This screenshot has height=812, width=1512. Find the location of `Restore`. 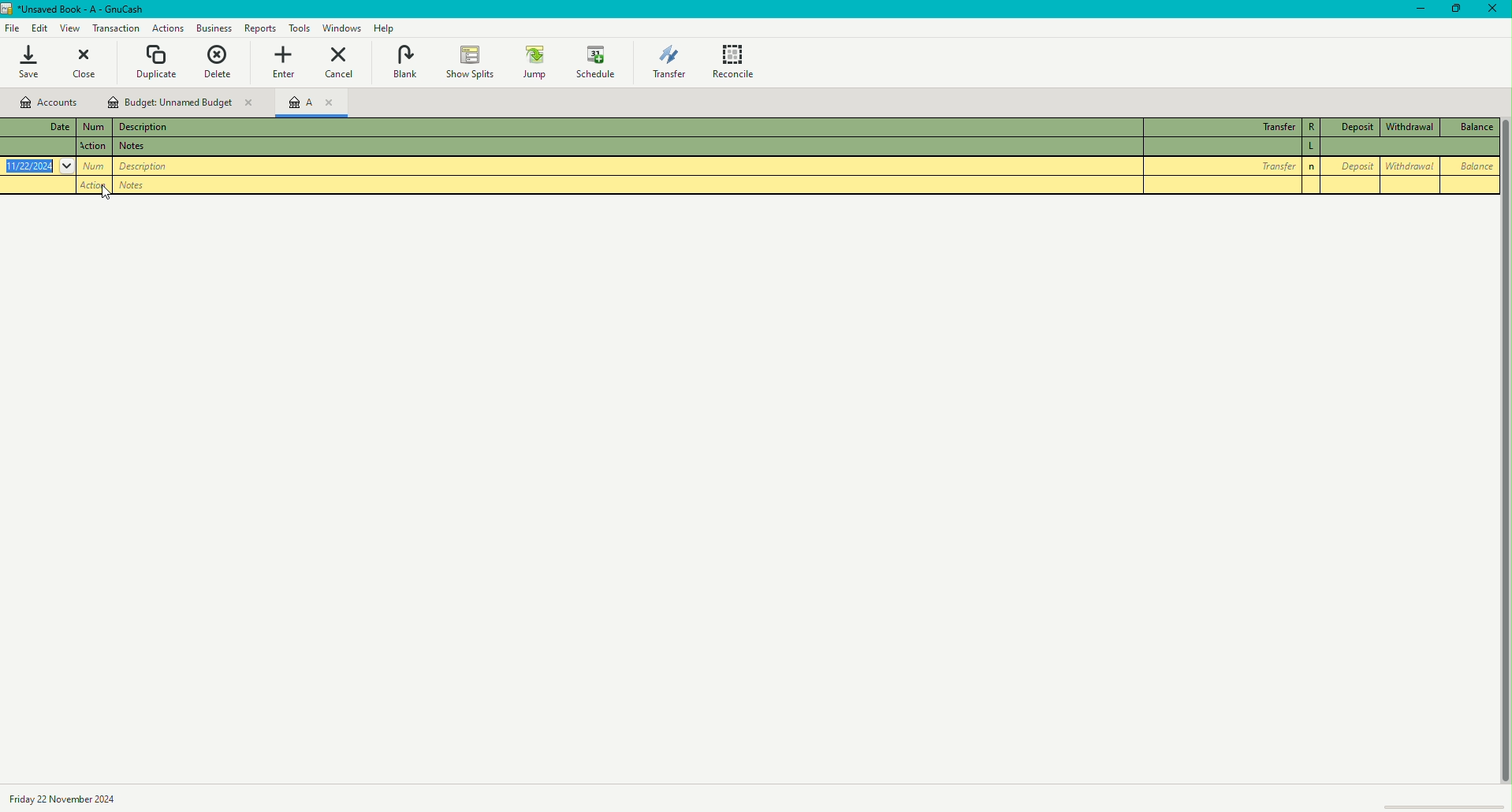

Restore is located at coordinates (1451, 12).